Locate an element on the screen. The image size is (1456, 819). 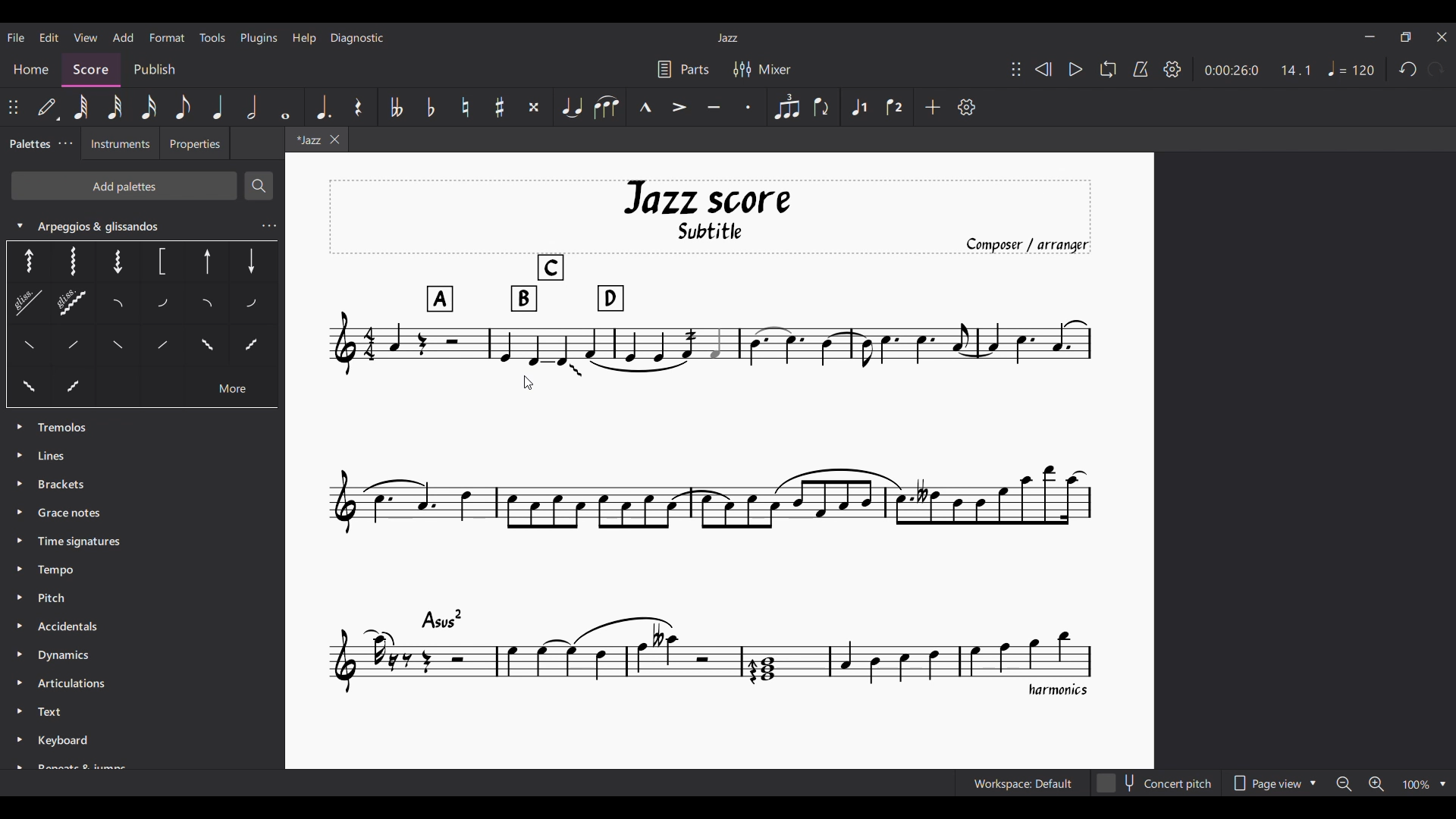
plate2 is located at coordinates (72, 261).